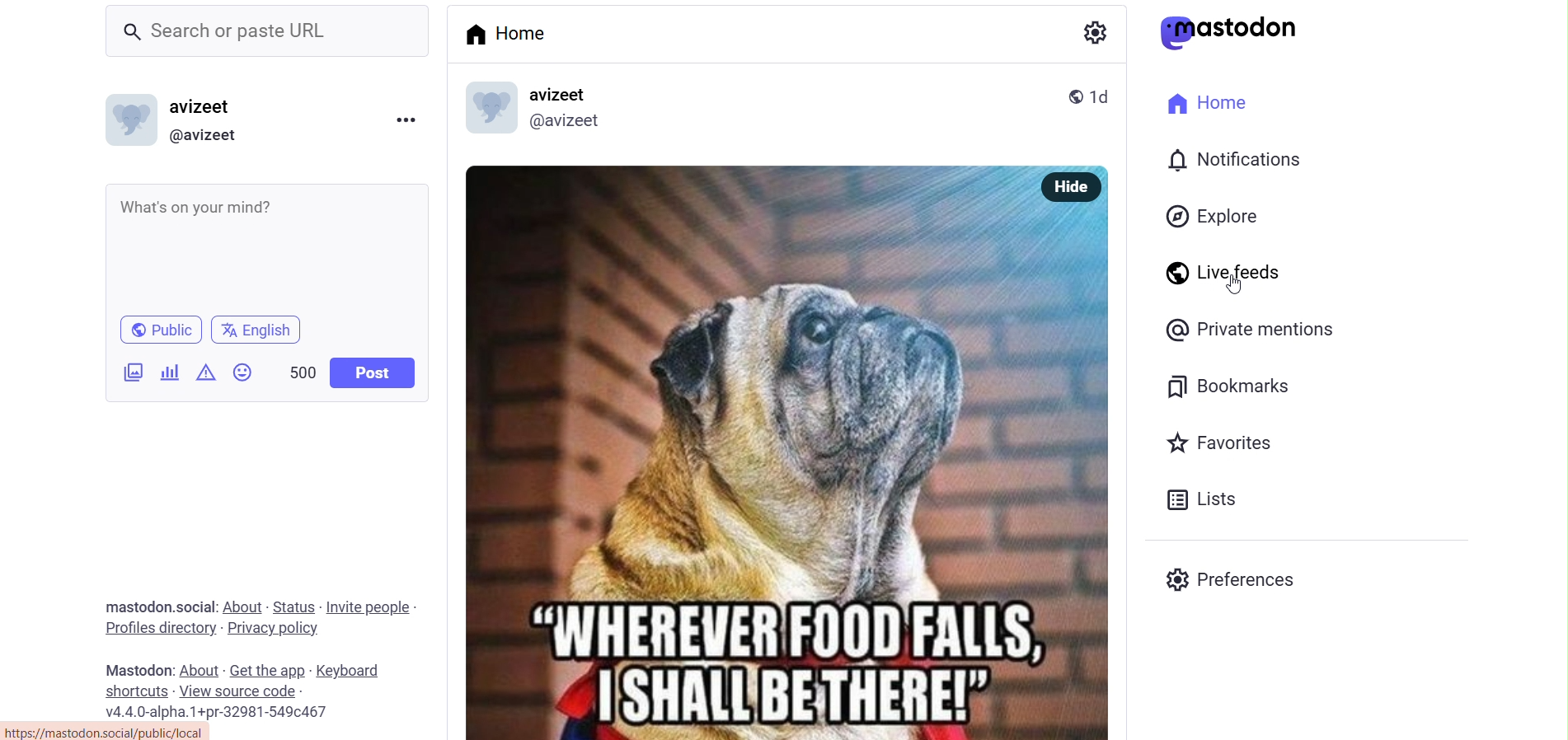  I want to click on mastodon, so click(135, 669).